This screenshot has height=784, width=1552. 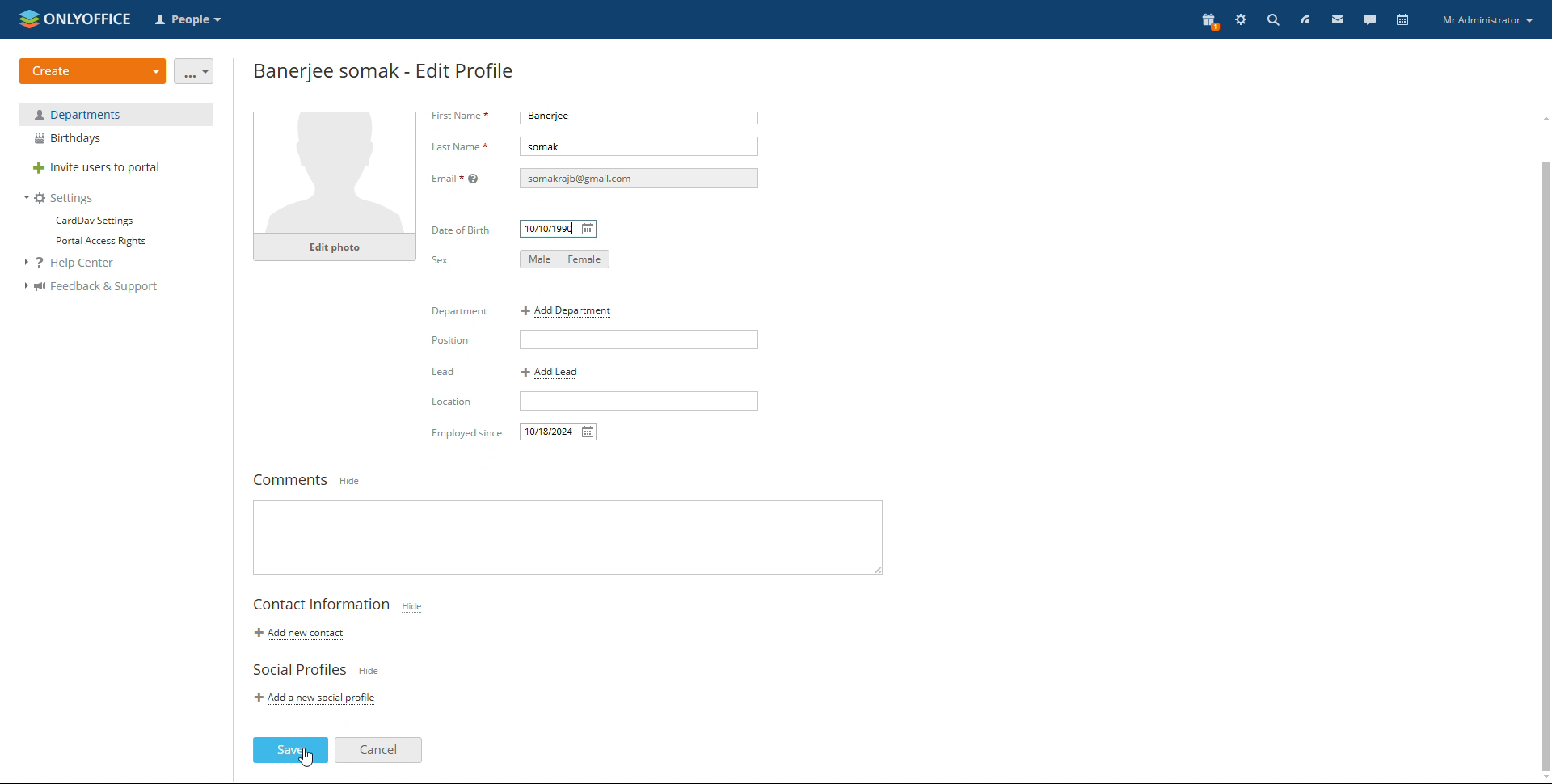 What do you see at coordinates (289, 479) in the screenshot?
I see `comments` at bounding box center [289, 479].